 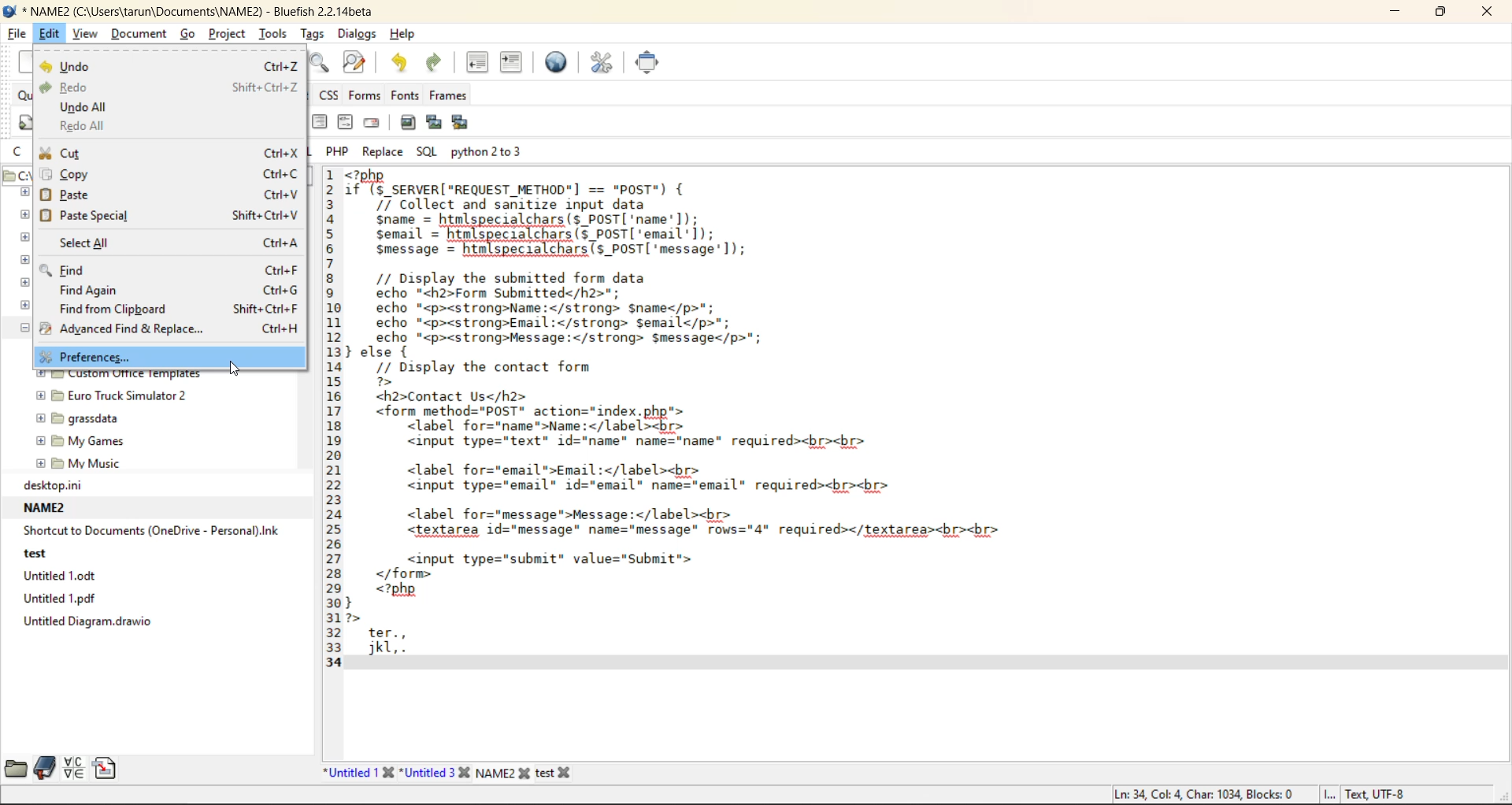 I want to click on insert image, so click(x=410, y=121).